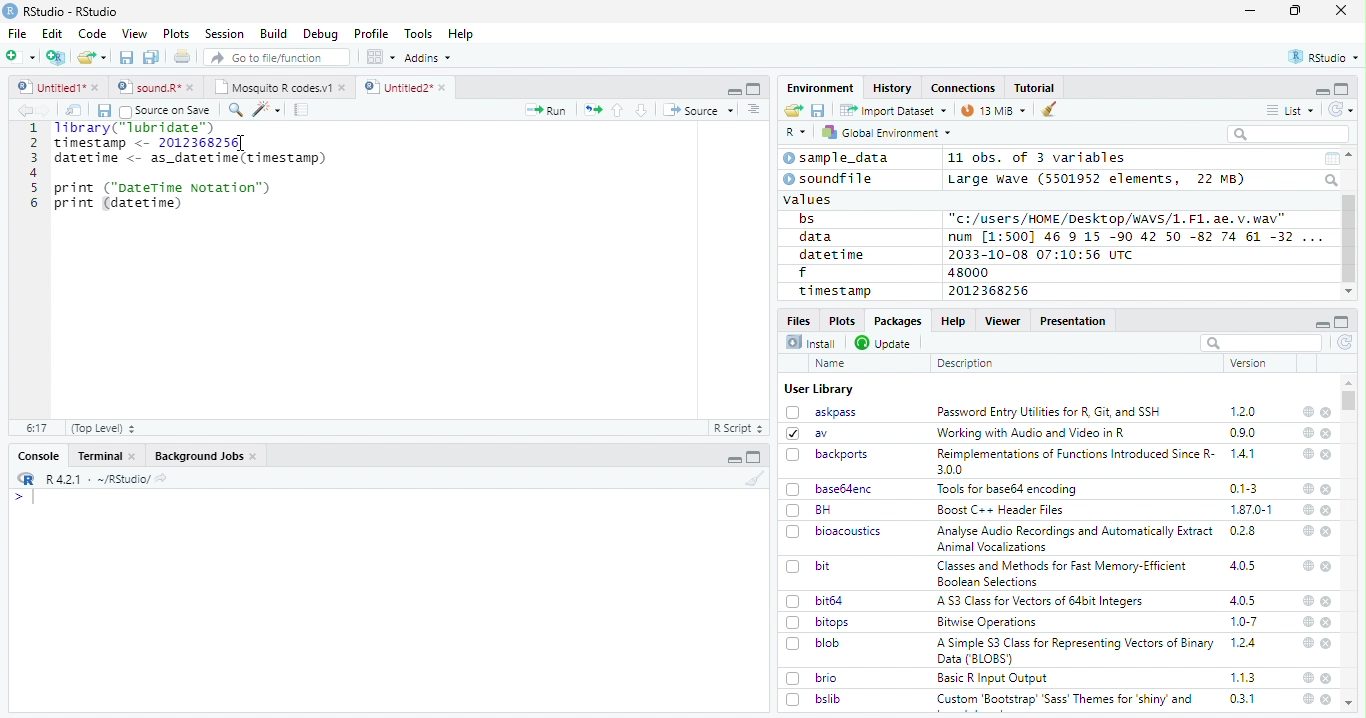  What do you see at coordinates (1327, 434) in the screenshot?
I see `close` at bounding box center [1327, 434].